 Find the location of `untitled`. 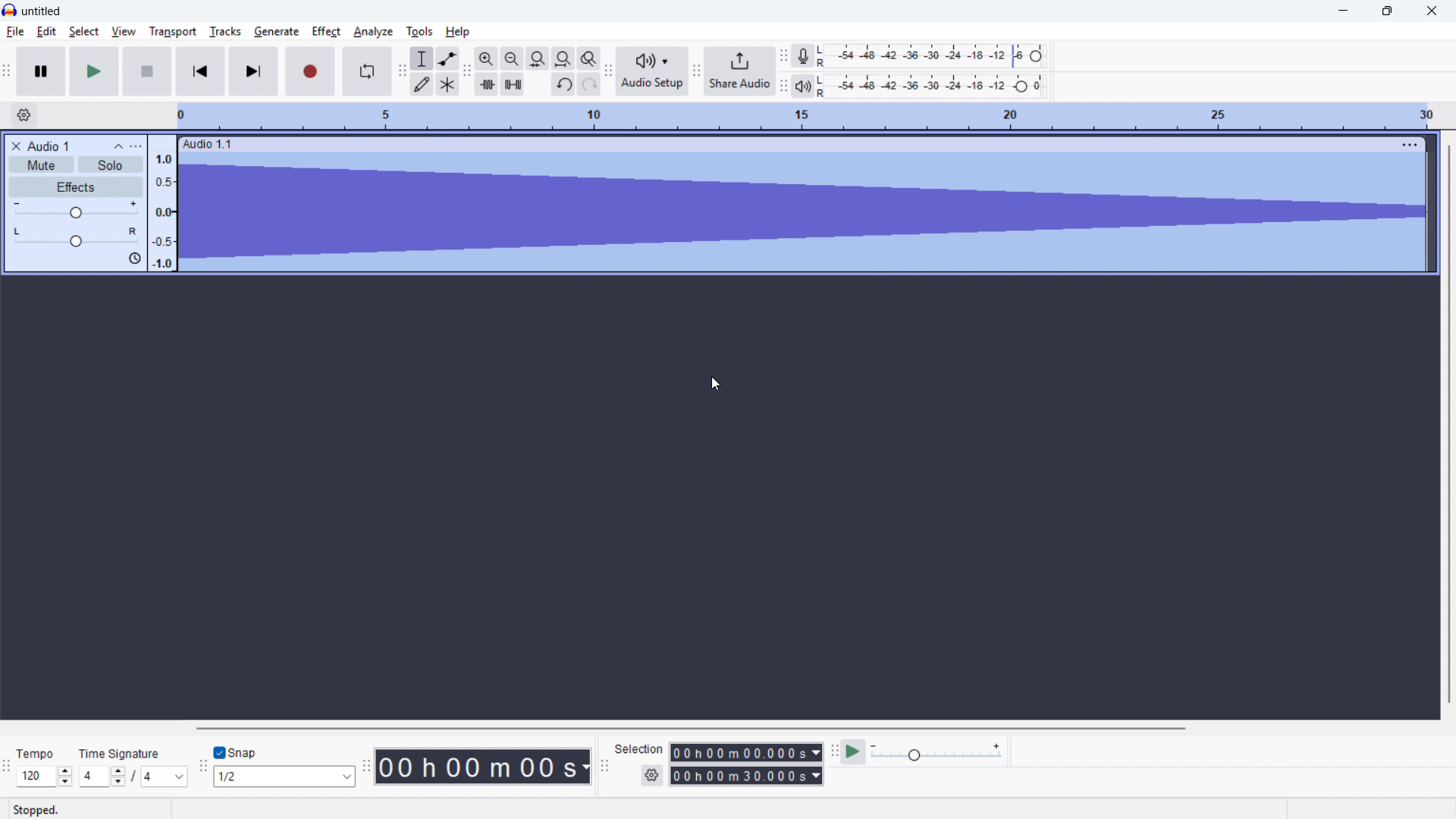

untitled is located at coordinates (42, 10).